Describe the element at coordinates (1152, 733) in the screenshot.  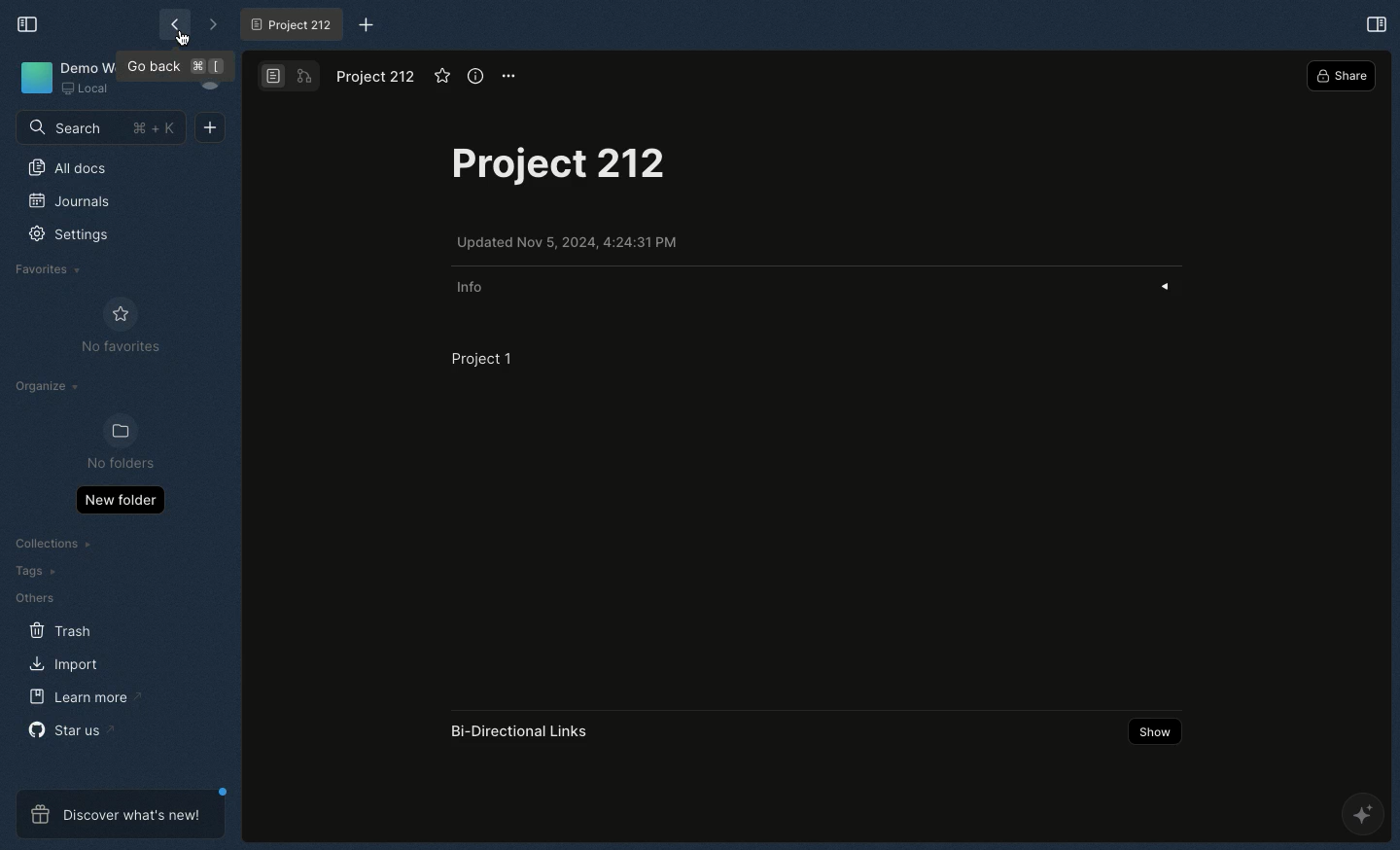
I see `Show` at that location.